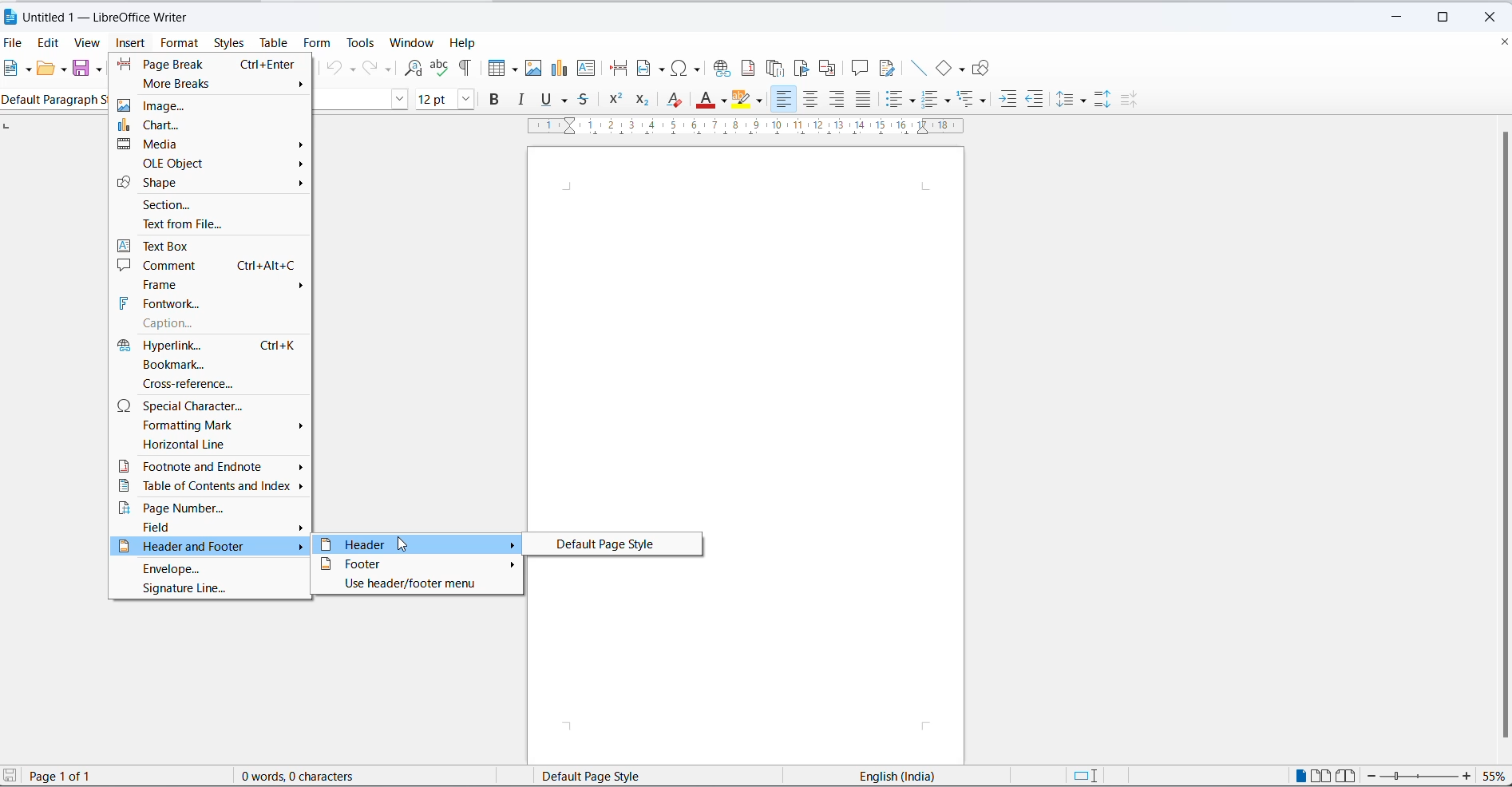 The height and width of the screenshot is (787, 1512). Describe the element at coordinates (1393, 18) in the screenshot. I see `minimize` at that location.